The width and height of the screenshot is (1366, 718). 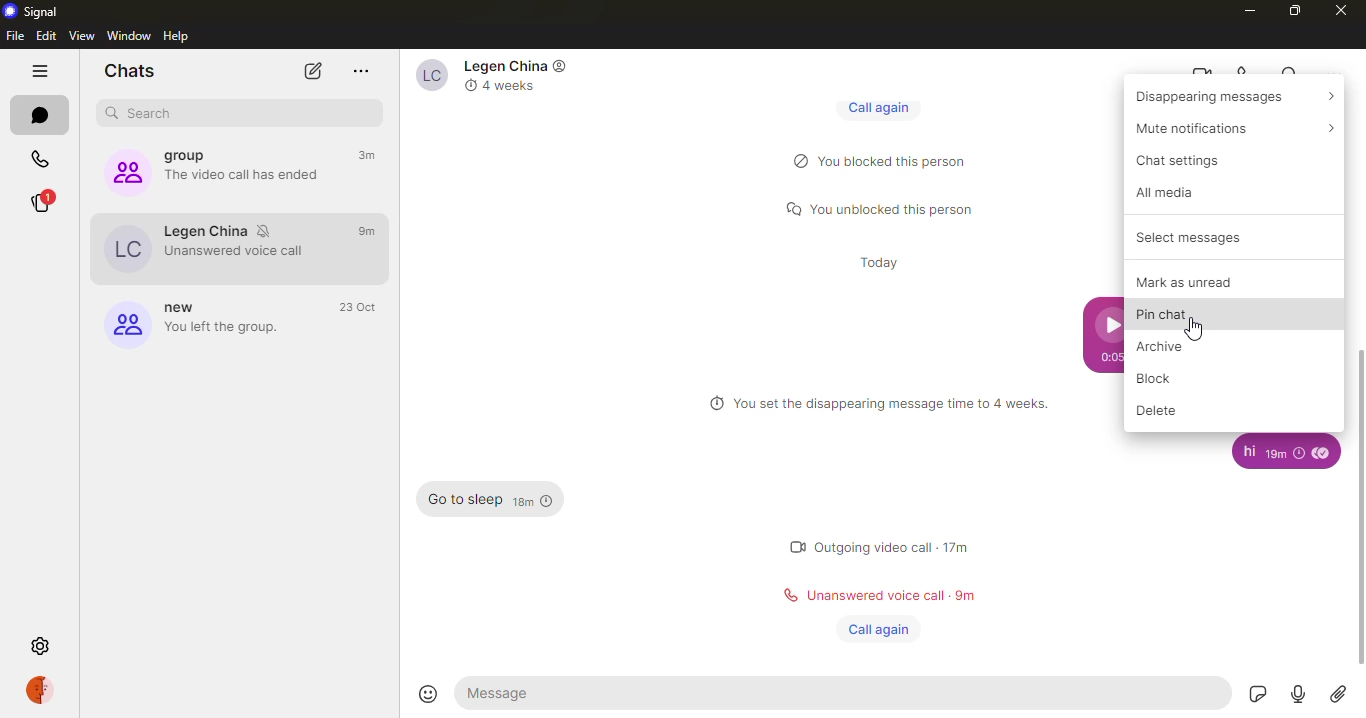 What do you see at coordinates (966, 596) in the screenshot?
I see `time` at bounding box center [966, 596].